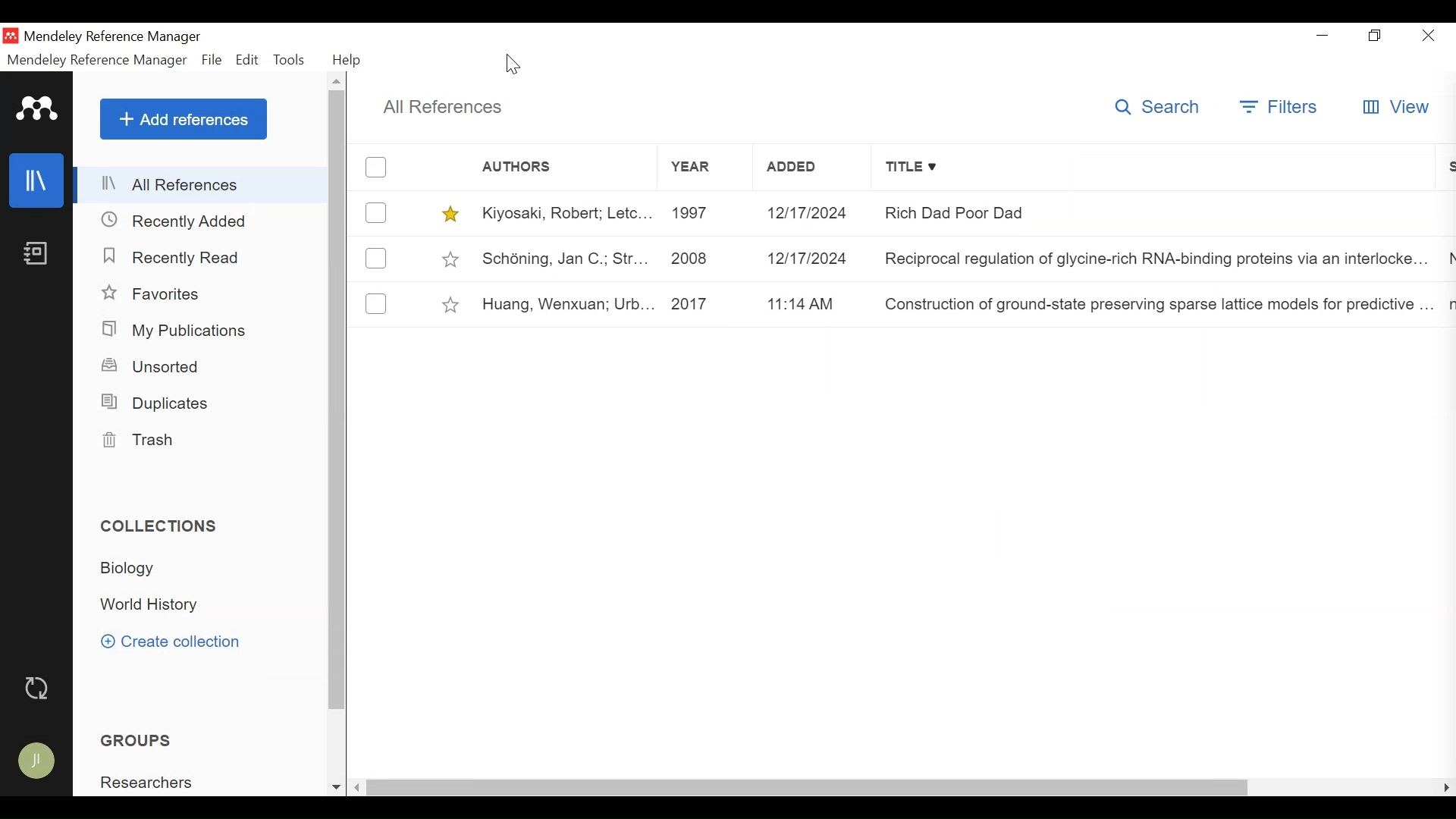 The height and width of the screenshot is (819, 1456). I want to click on Unsorted, so click(156, 366).